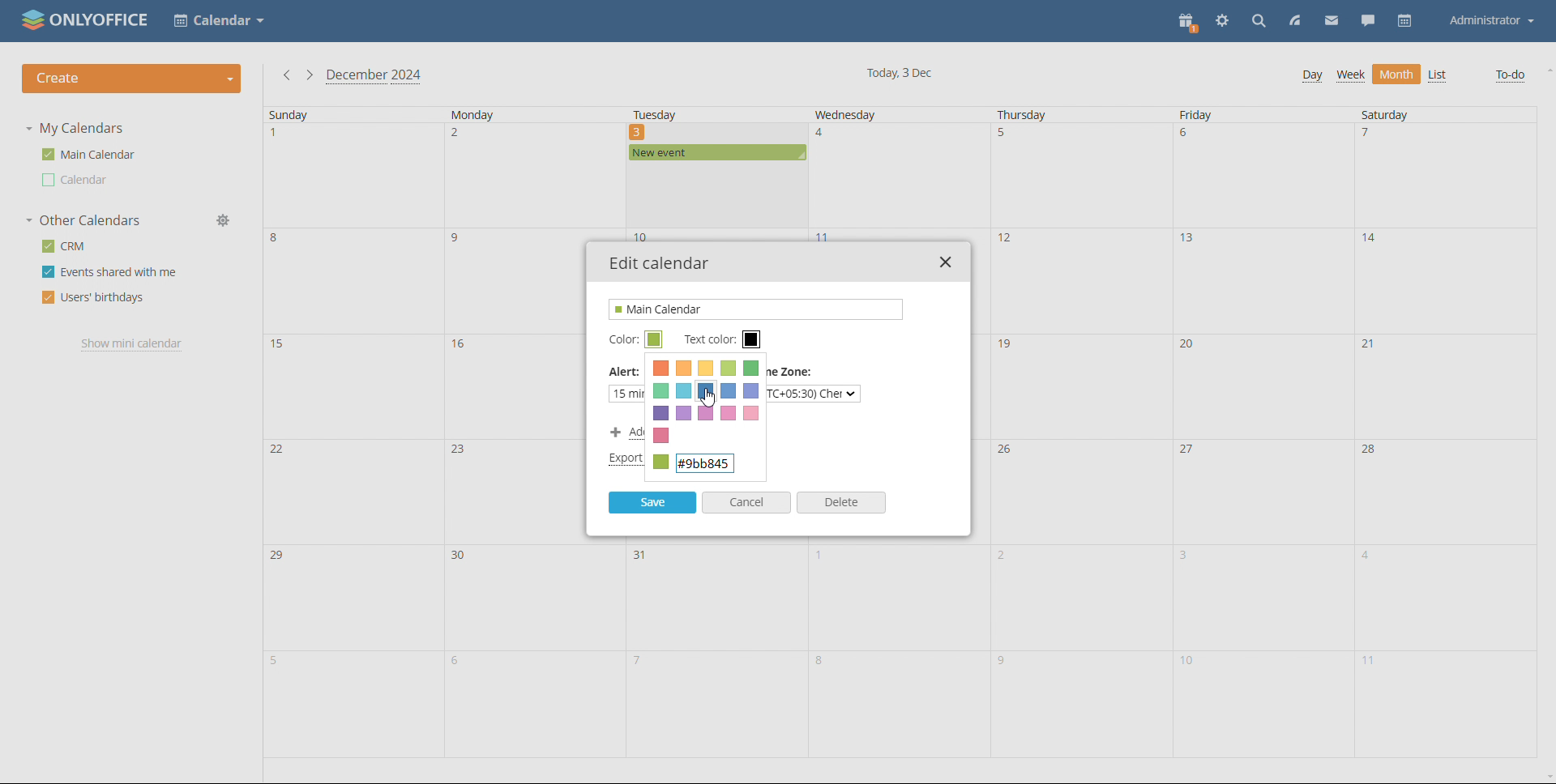 This screenshot has width=1556, height=784. What do you see at coordinates (897, 176) in the screenshot?
I see `date` at bounding box center [897, 176].